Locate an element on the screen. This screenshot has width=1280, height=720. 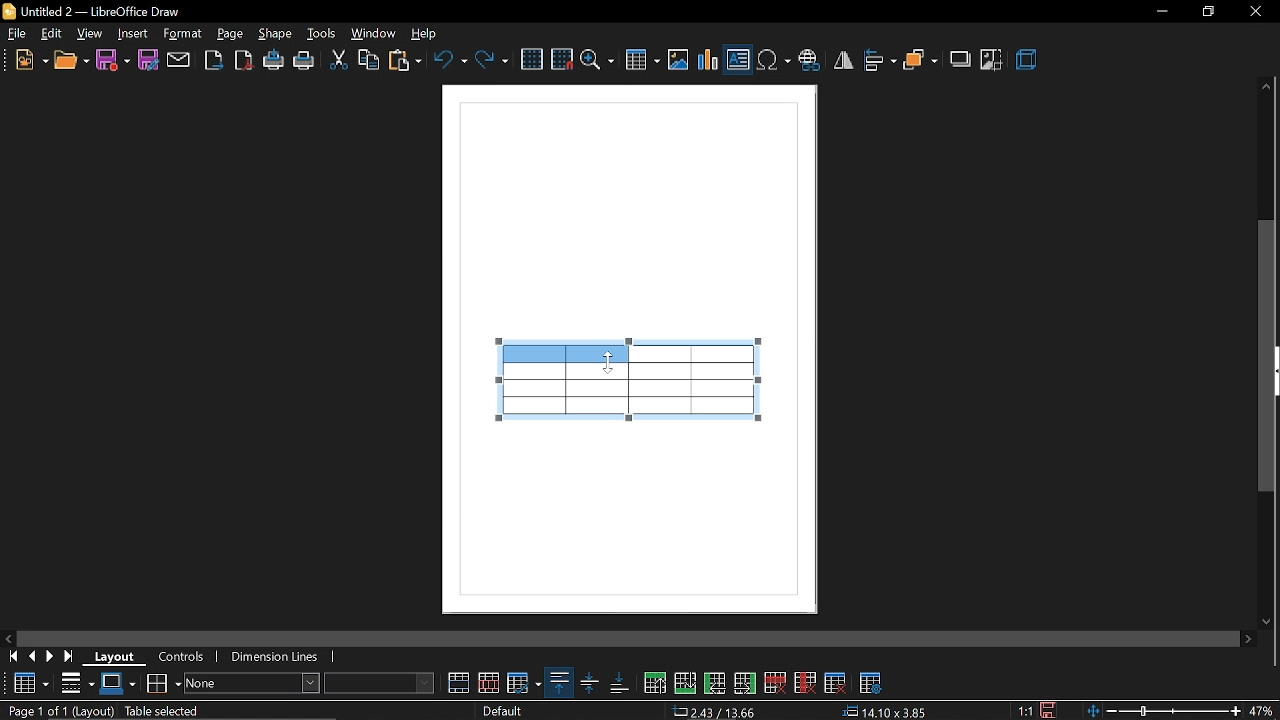
shadow is located at coordinates (958, 60).